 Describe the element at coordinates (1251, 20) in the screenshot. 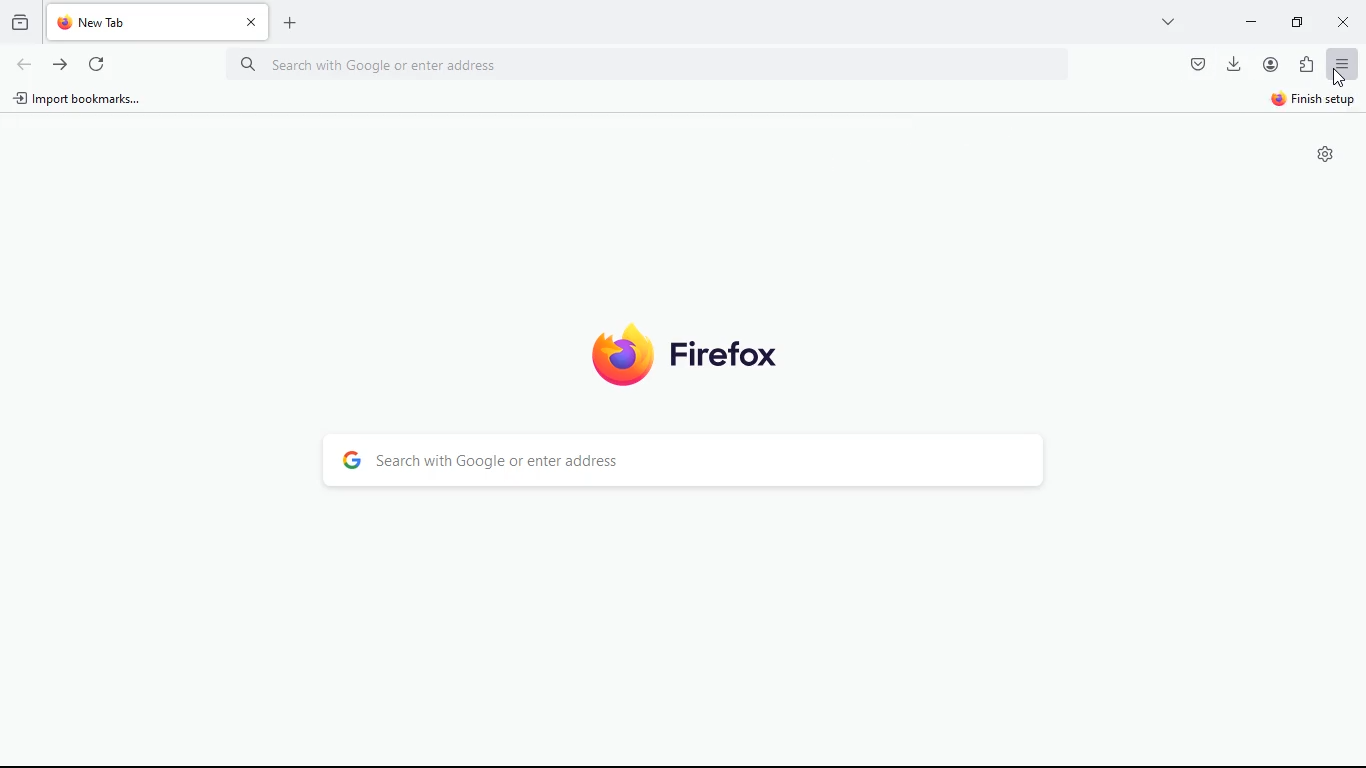

I see `minimize` at that location.